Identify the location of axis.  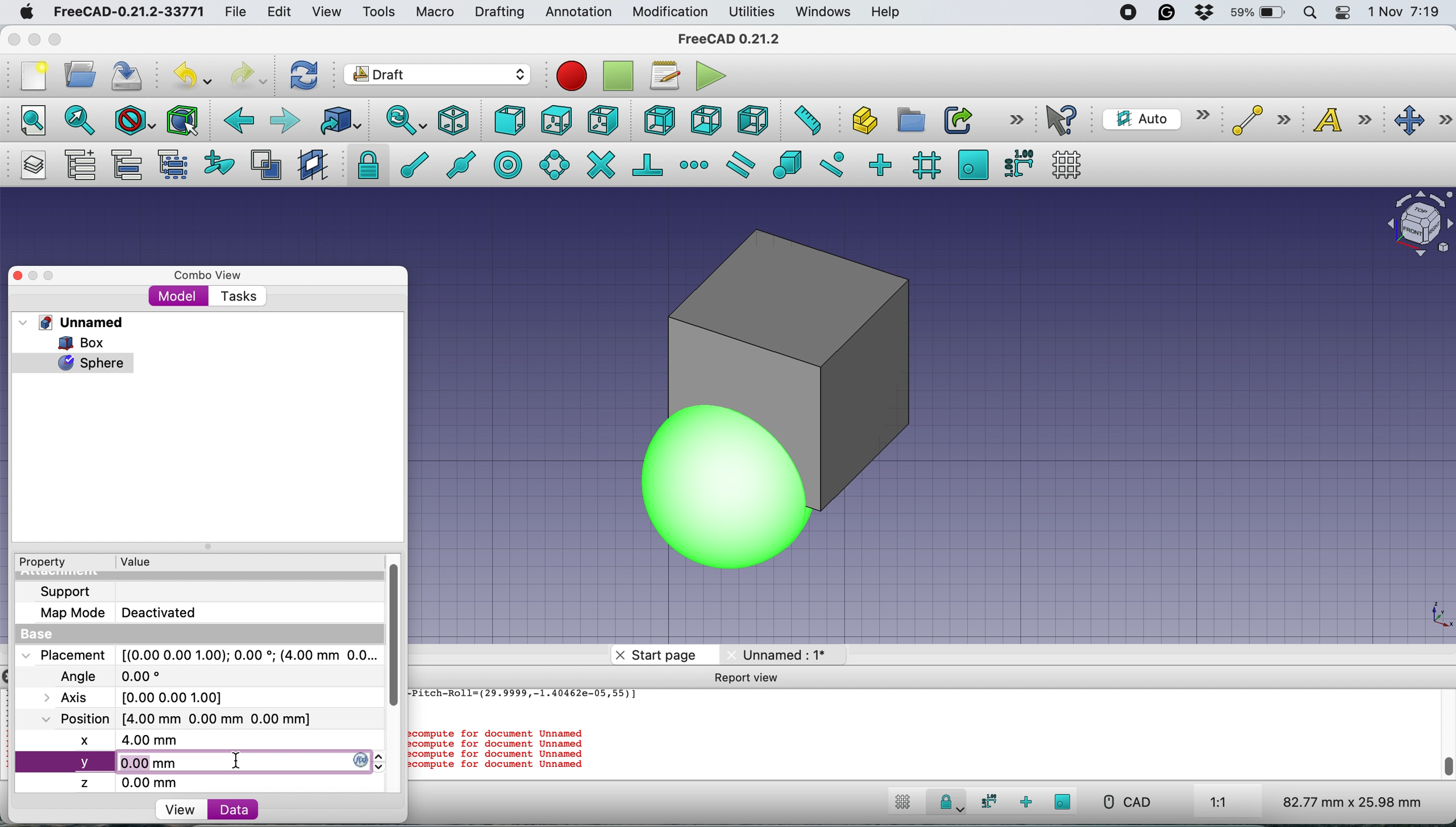
(147, 697).